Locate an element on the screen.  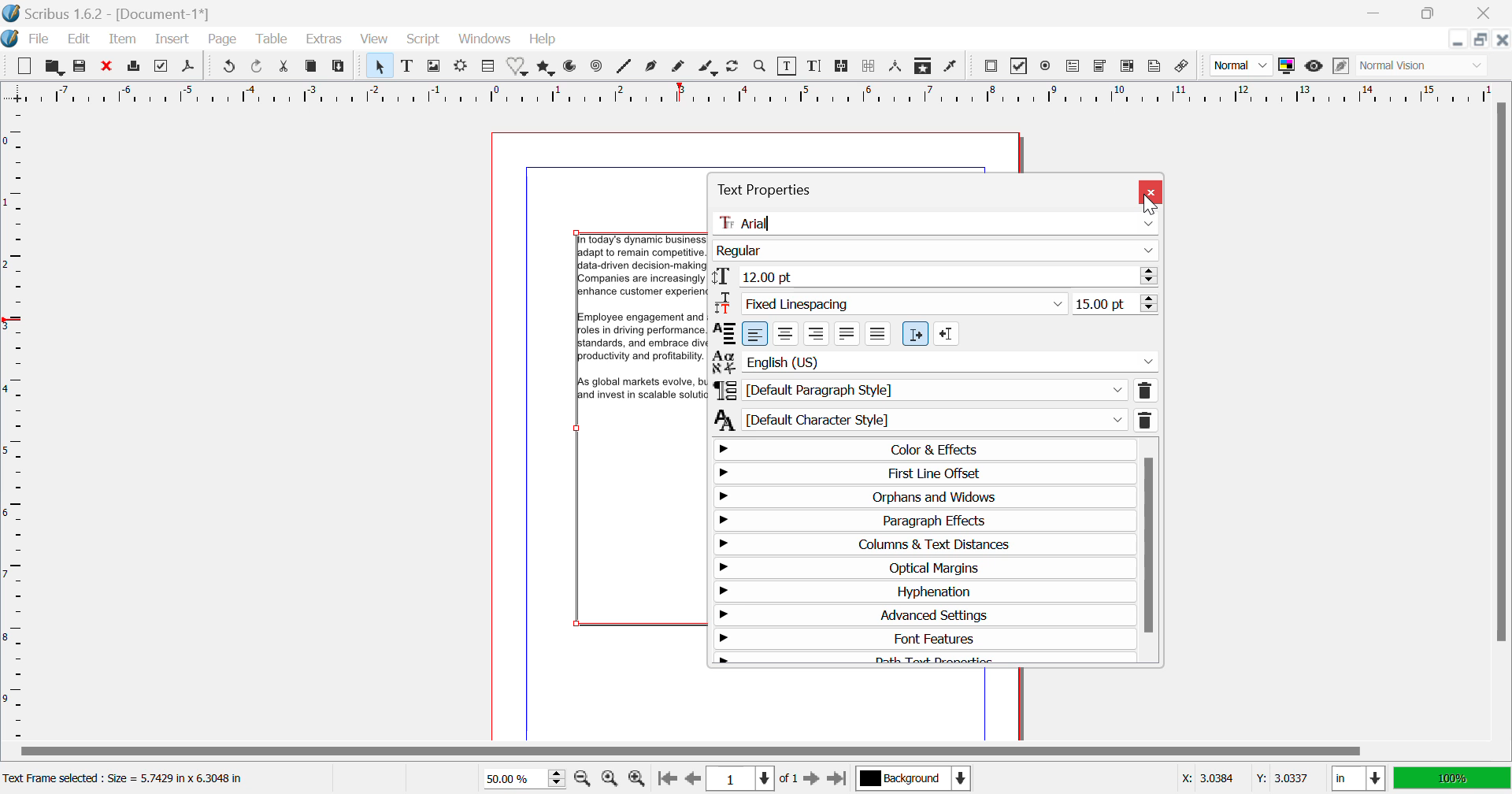
Text Annotation is located at coordinates (1154, 68).